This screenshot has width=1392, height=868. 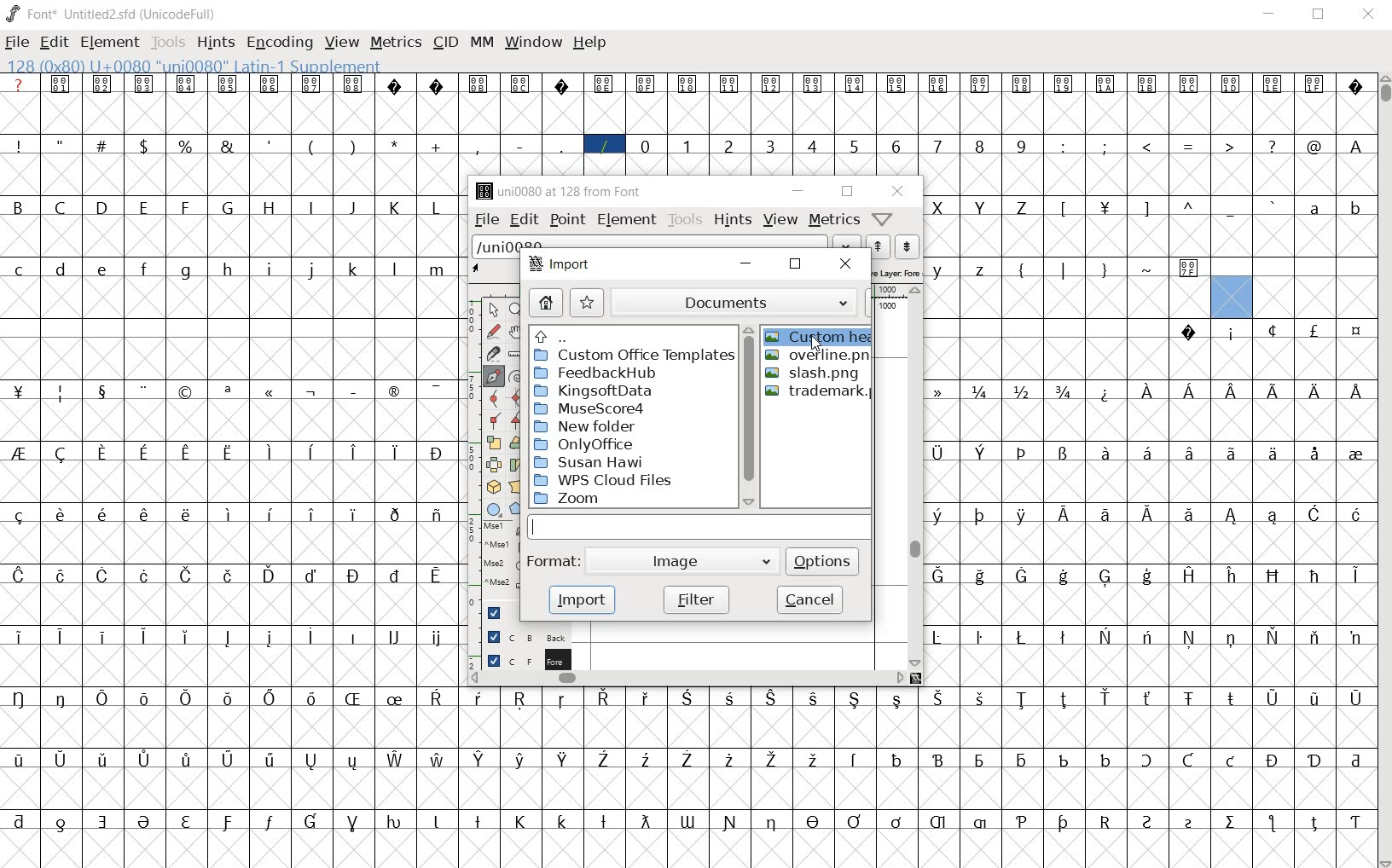 I want to click on glyph, so click(x=728, y=85).